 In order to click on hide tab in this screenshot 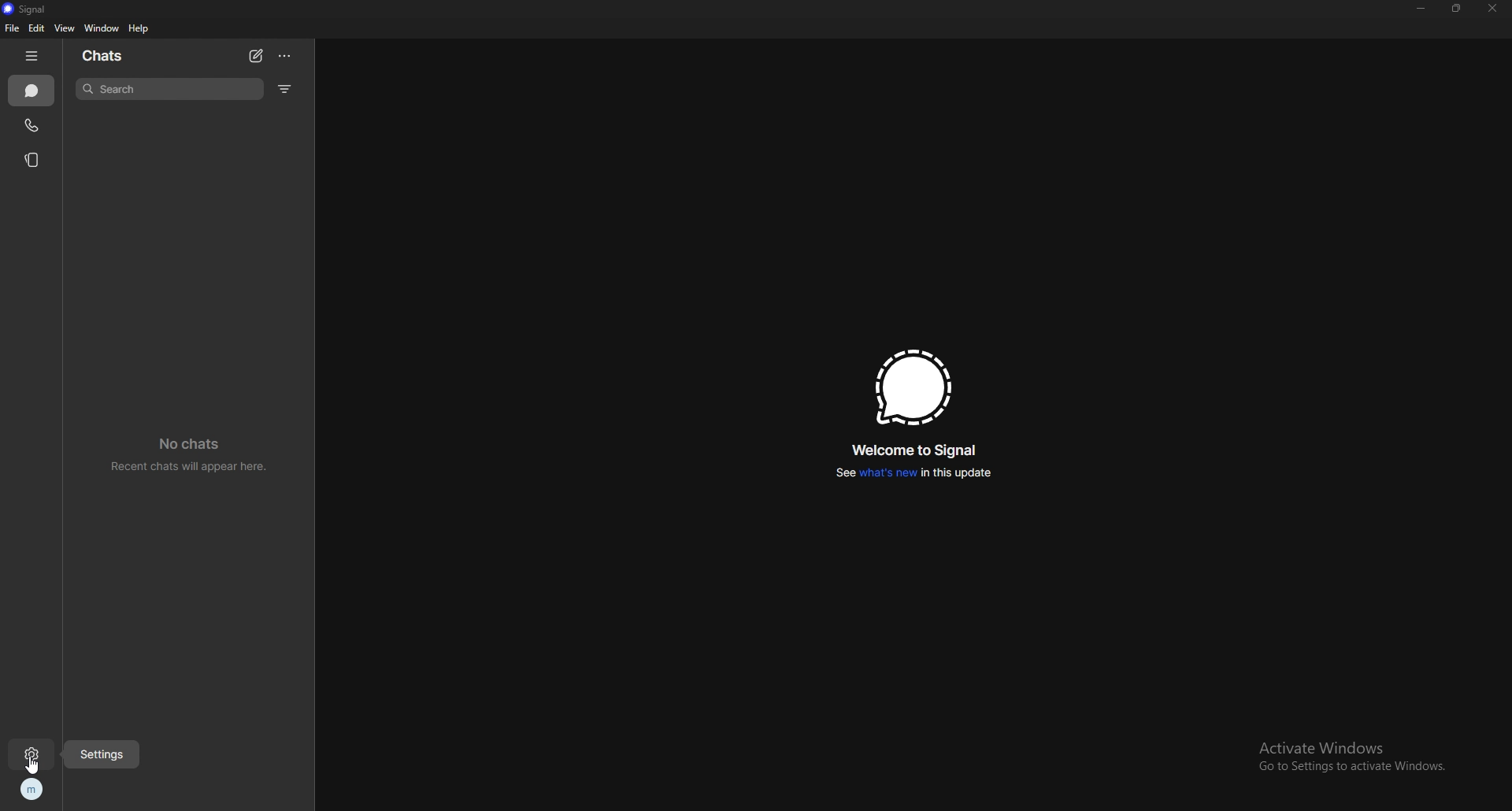, I will do `click(32, 56)`.